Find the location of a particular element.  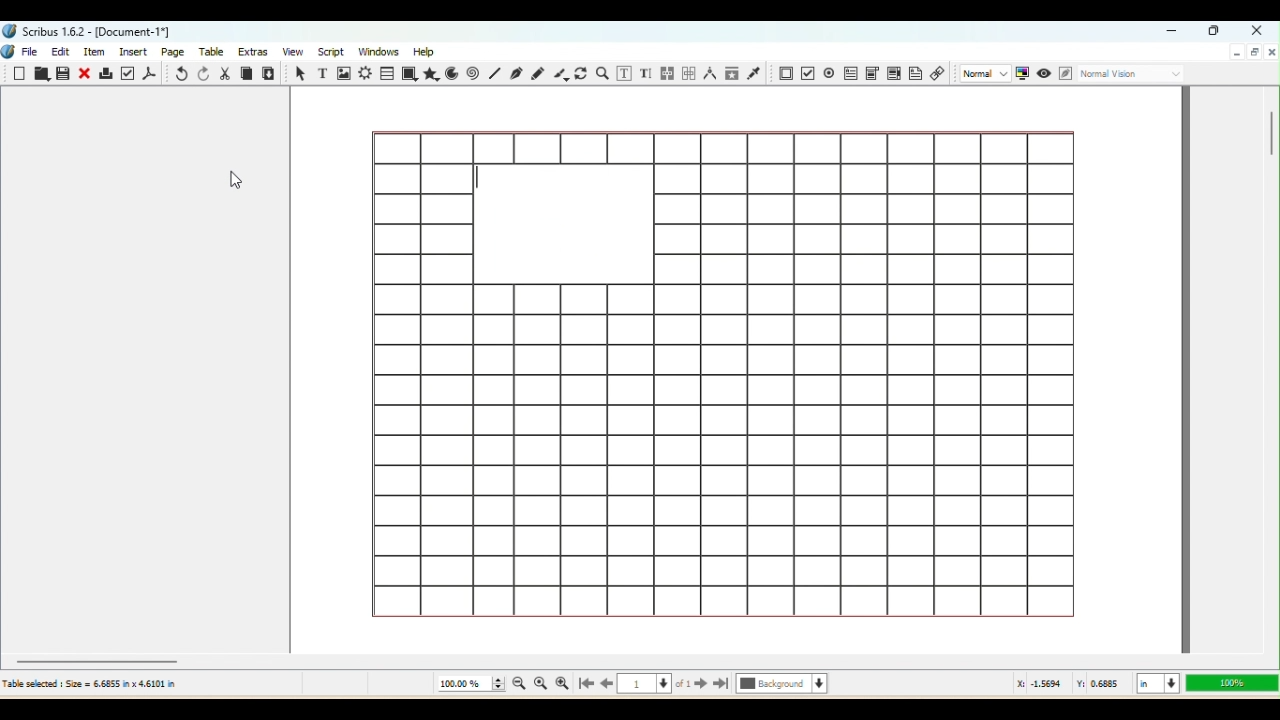

Eye dropper is located at coordinates (756, 74).